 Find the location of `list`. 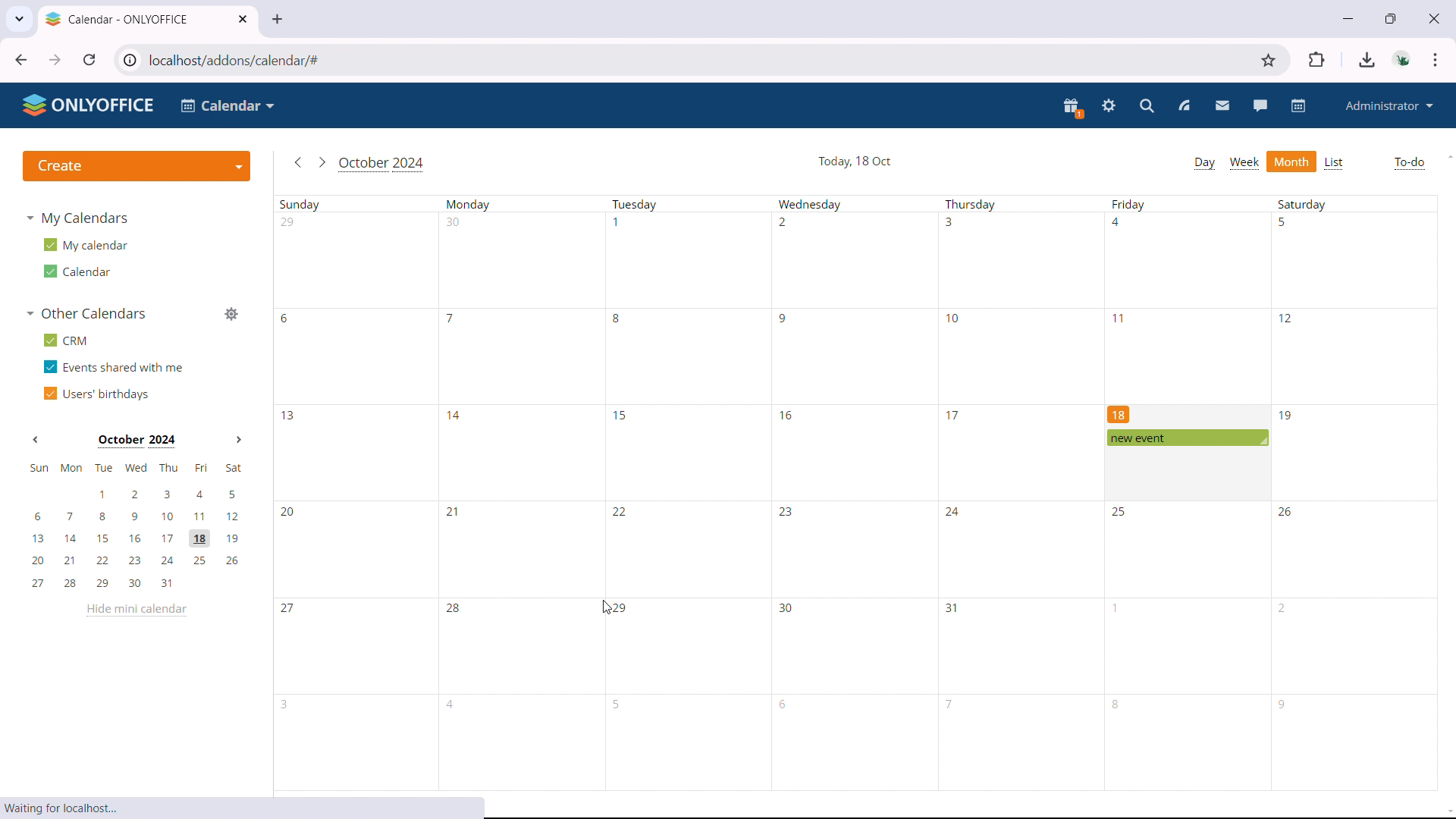

list is located at coordinates (1335, 163).